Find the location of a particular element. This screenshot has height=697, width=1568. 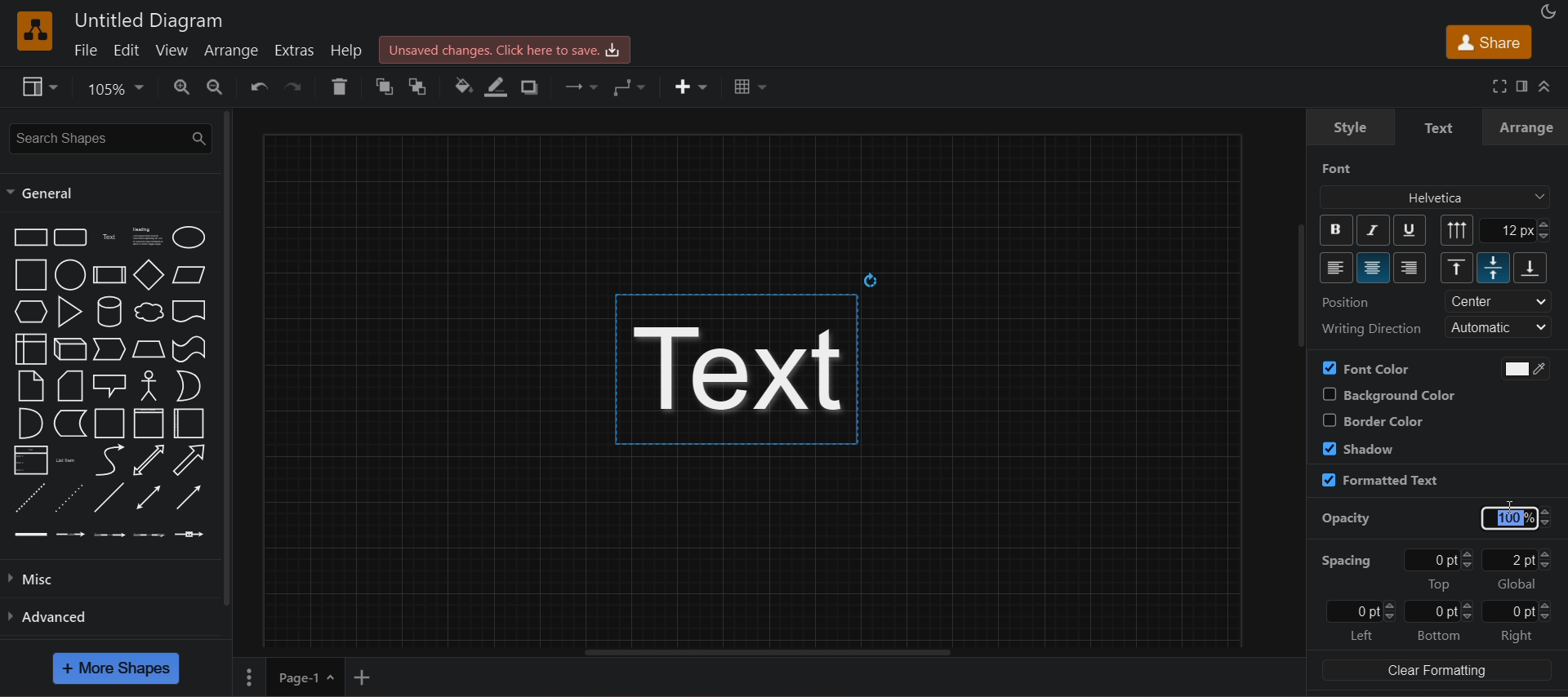

12px is located at coordinates (1517, 230).